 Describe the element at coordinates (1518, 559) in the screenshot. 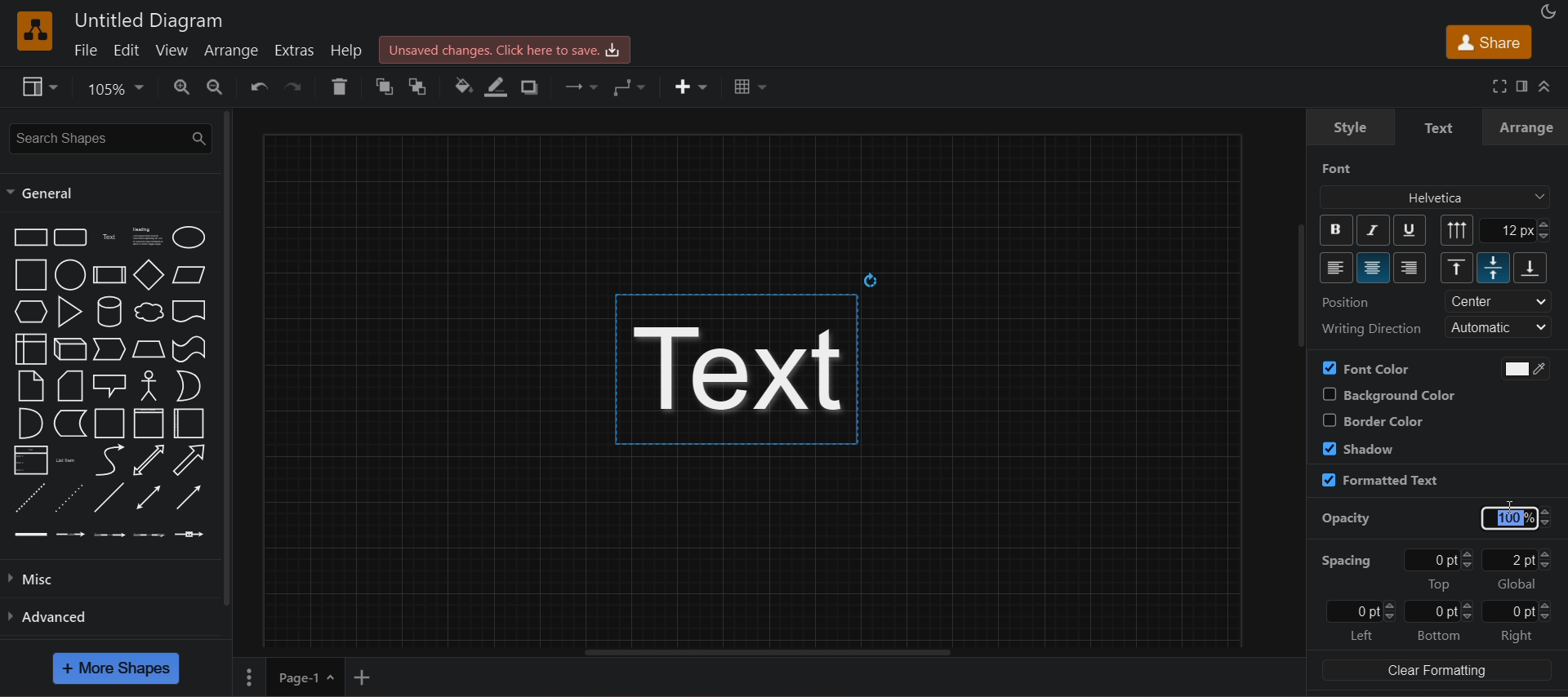

I see `2 pt` at that location.